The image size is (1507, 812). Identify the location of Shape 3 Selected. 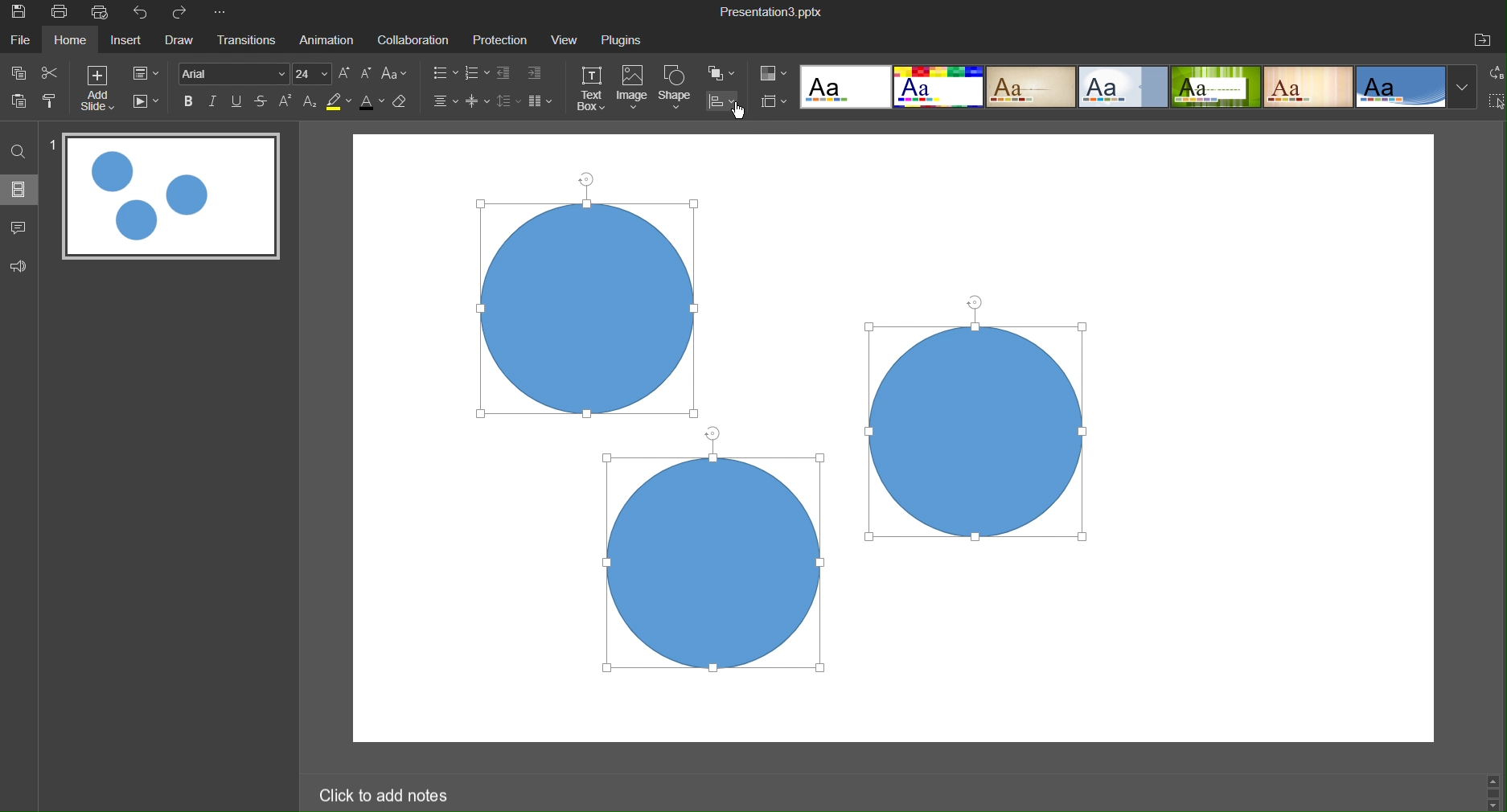
(719, 565).